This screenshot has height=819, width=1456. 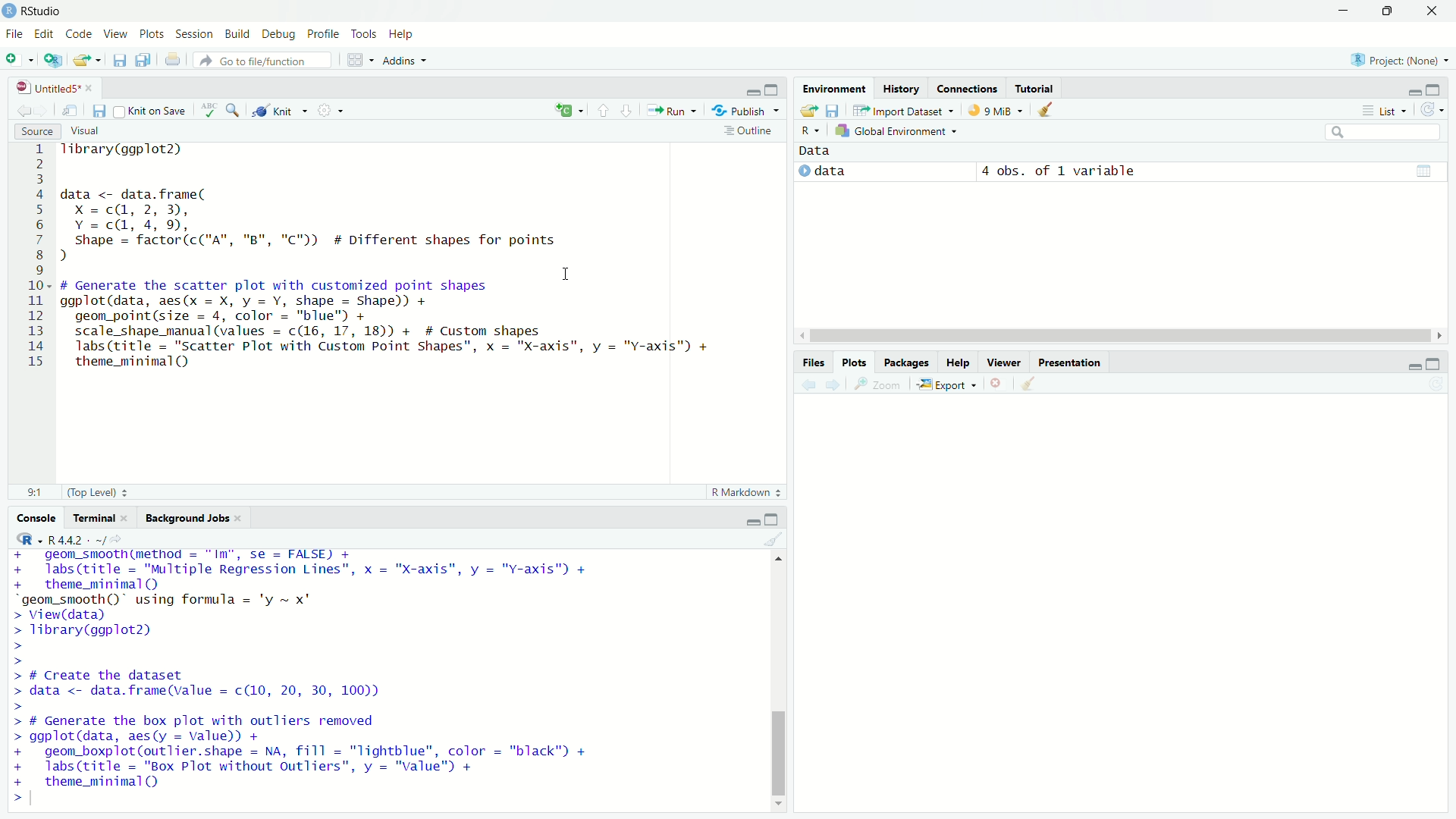 I want to click on Go to previous section/chunk, so click(x=604, y=110).